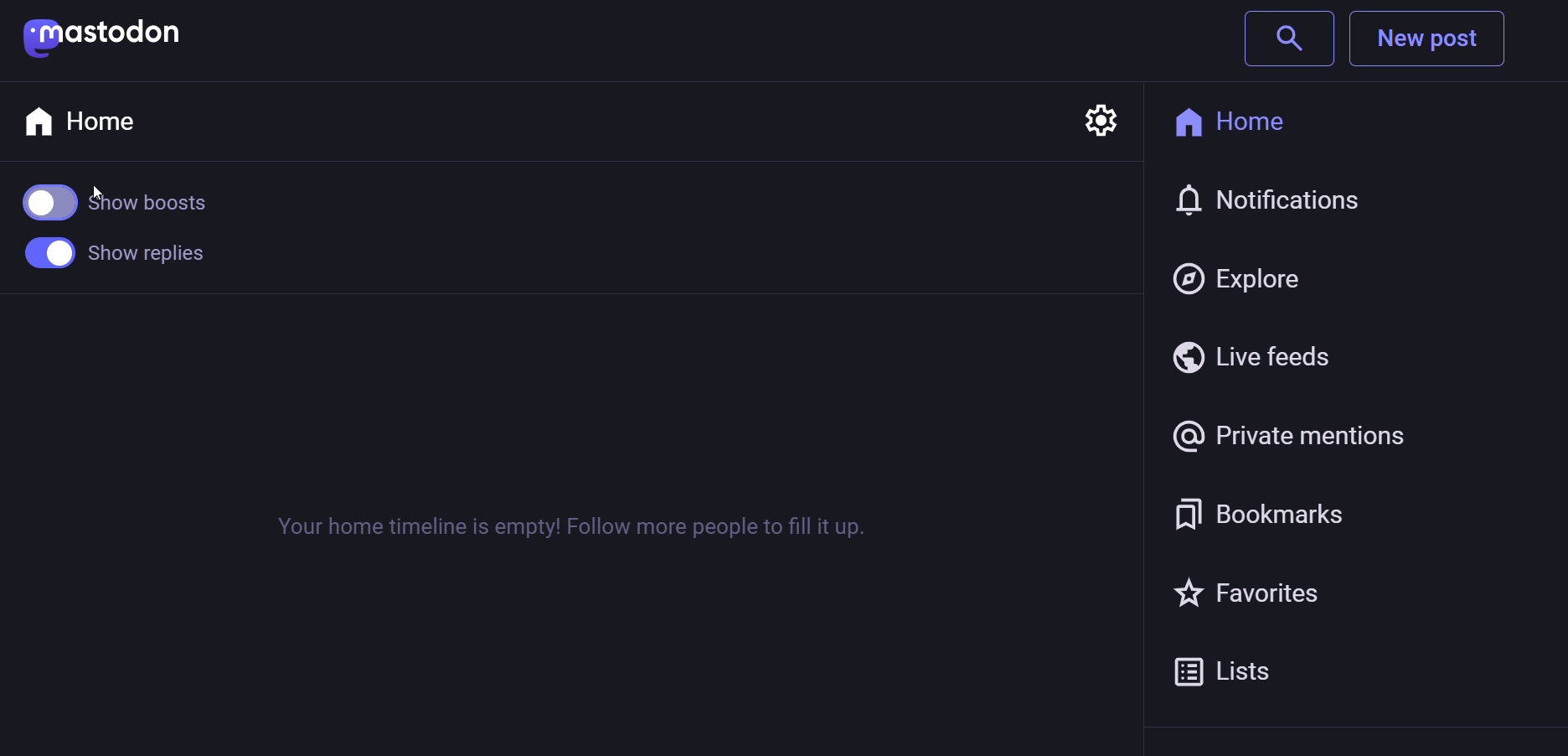  Describe the element at coordinates (103, 122) in the screenshot. I see `Home` at that location.